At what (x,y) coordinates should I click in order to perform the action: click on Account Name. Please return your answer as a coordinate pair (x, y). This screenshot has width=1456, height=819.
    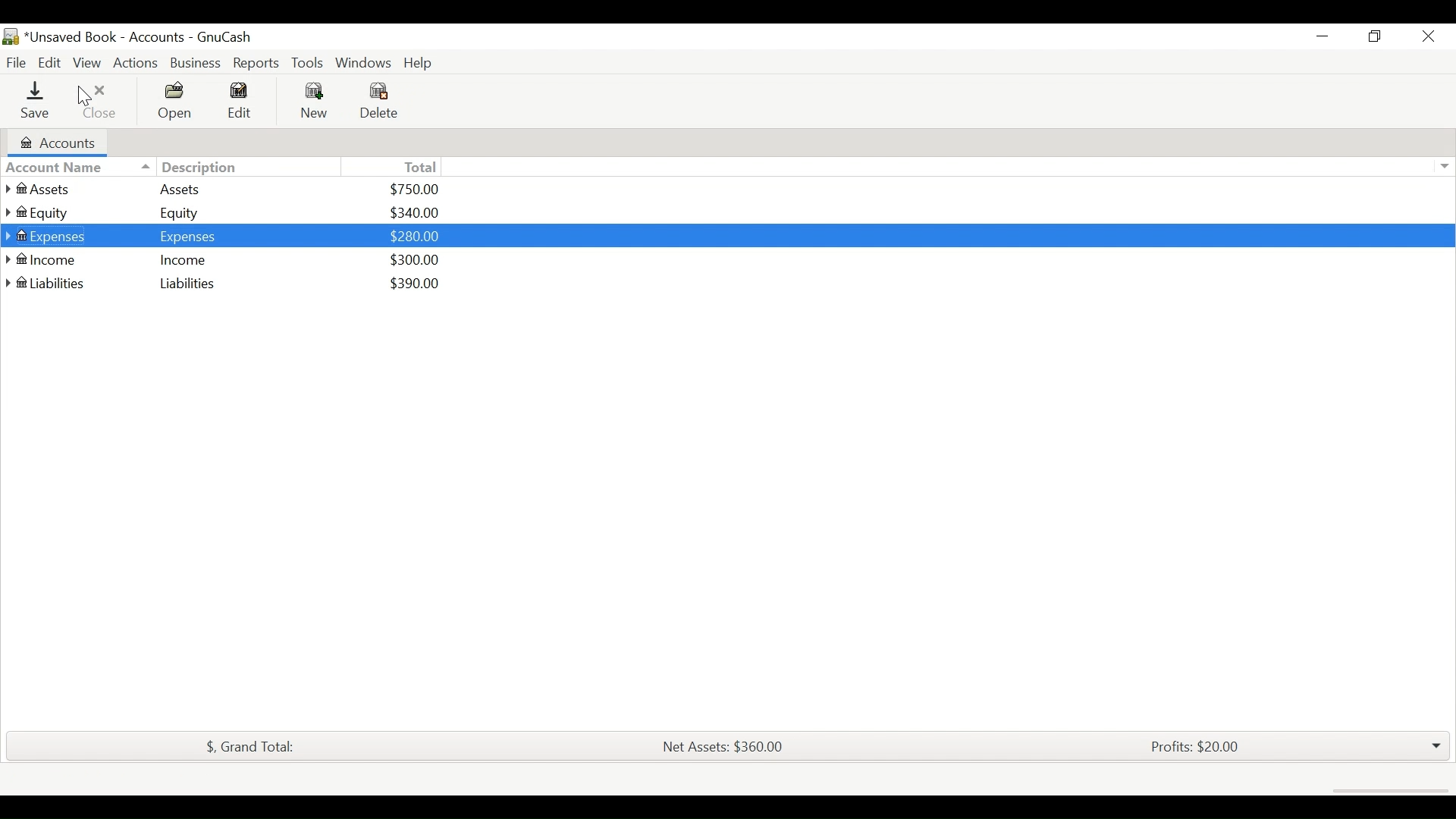
    Looking at the image, I should click on (58, 165).